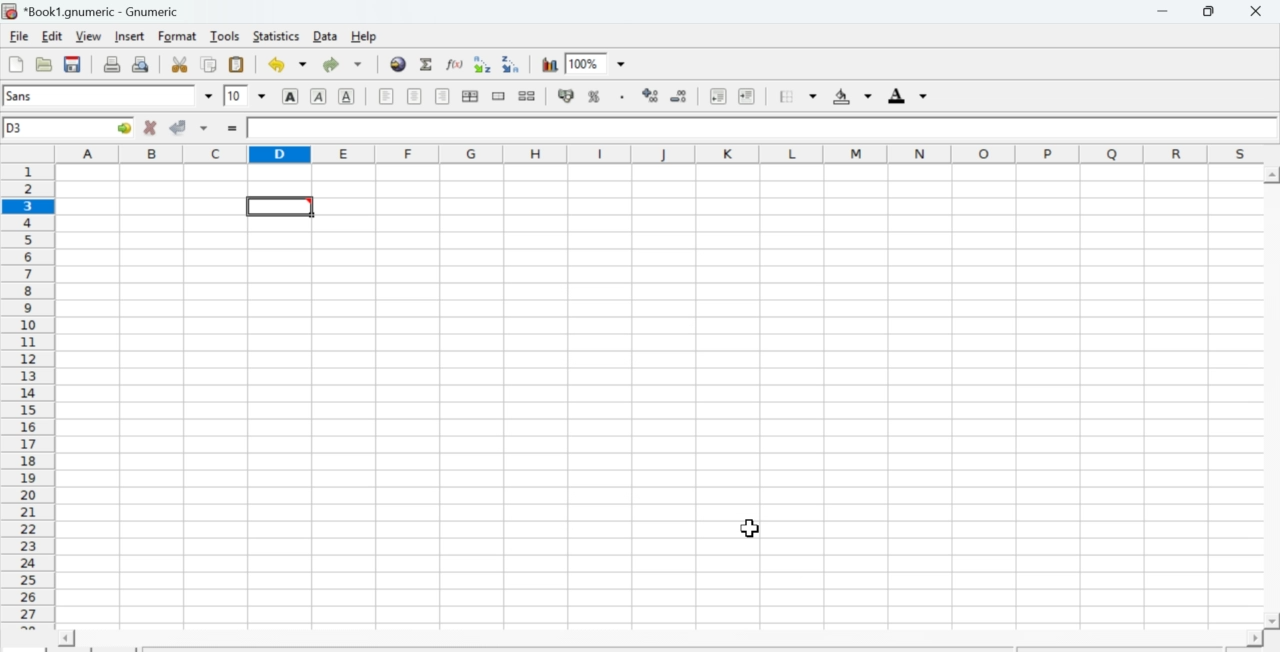 Image resolution: width=1280 pixels, height=652 pixels. What do you see at coordinates (751, 96) in the screenshot?
I see `Increase indent` at bounding box center [751, 96].